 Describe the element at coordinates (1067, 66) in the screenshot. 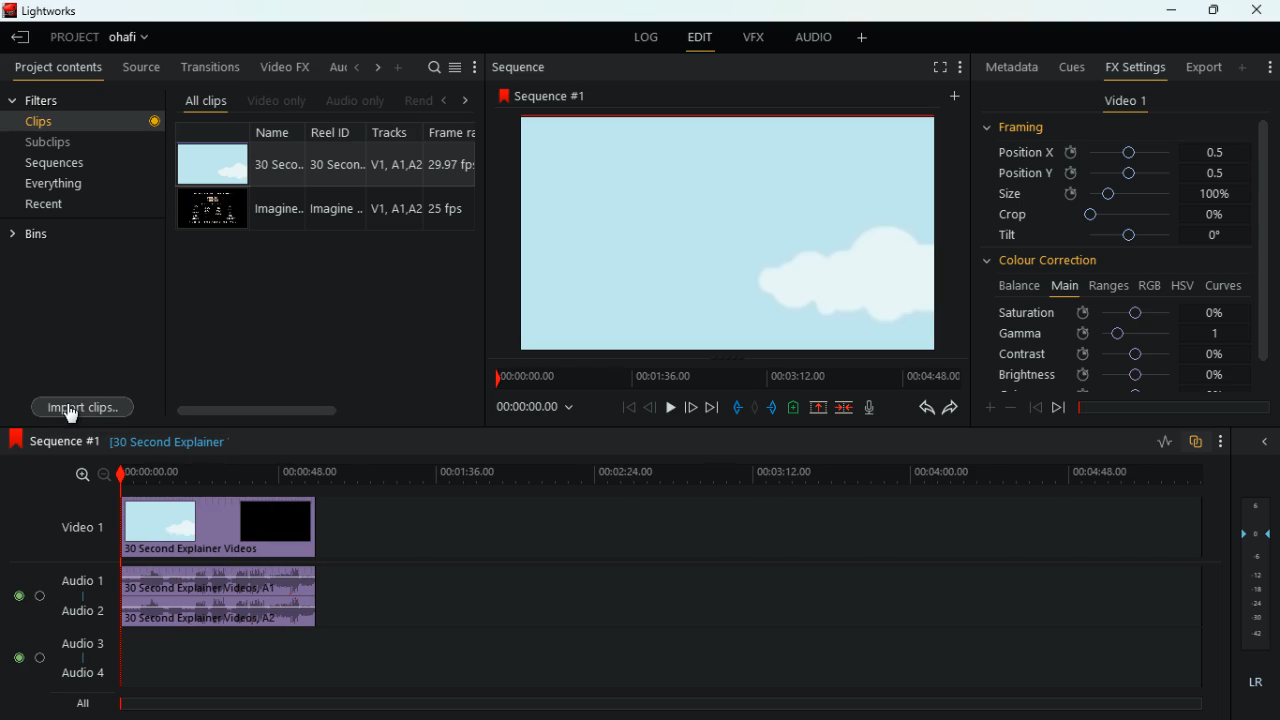

I see `cues` at that location.